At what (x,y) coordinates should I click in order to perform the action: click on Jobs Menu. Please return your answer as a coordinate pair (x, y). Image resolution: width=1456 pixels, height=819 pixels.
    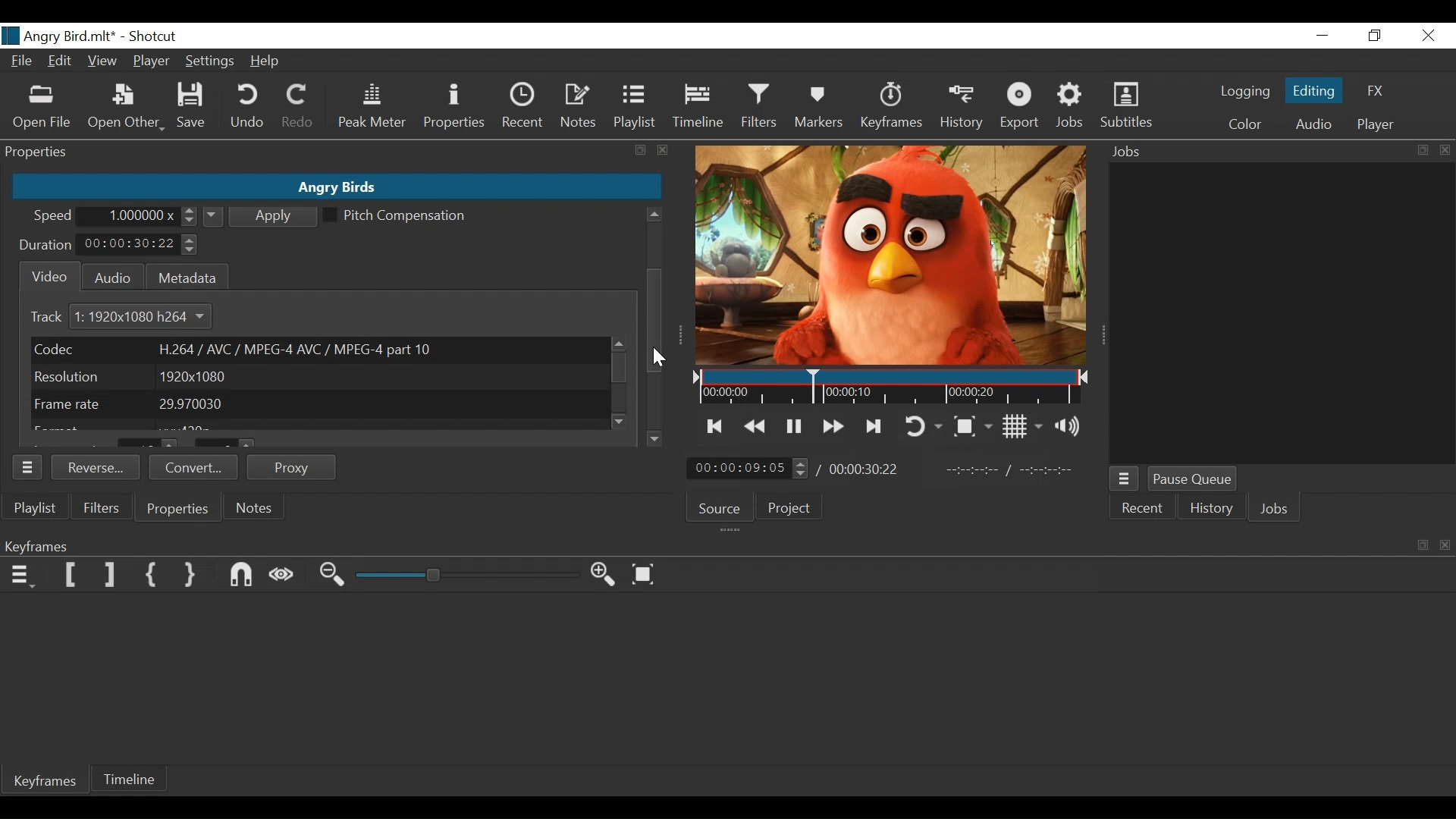
    Looking at the image, I should click on (1125, 481).